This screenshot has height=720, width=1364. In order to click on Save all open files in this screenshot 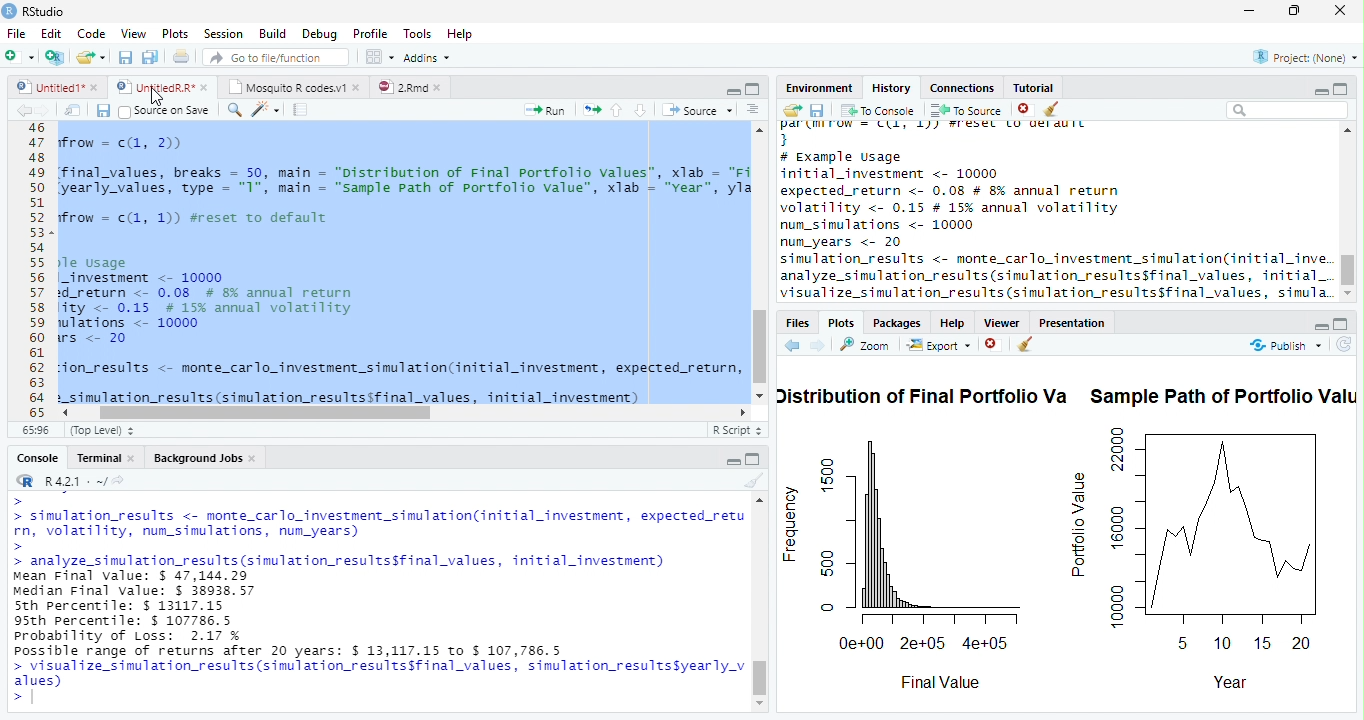, I will do `click(149, 57)`.